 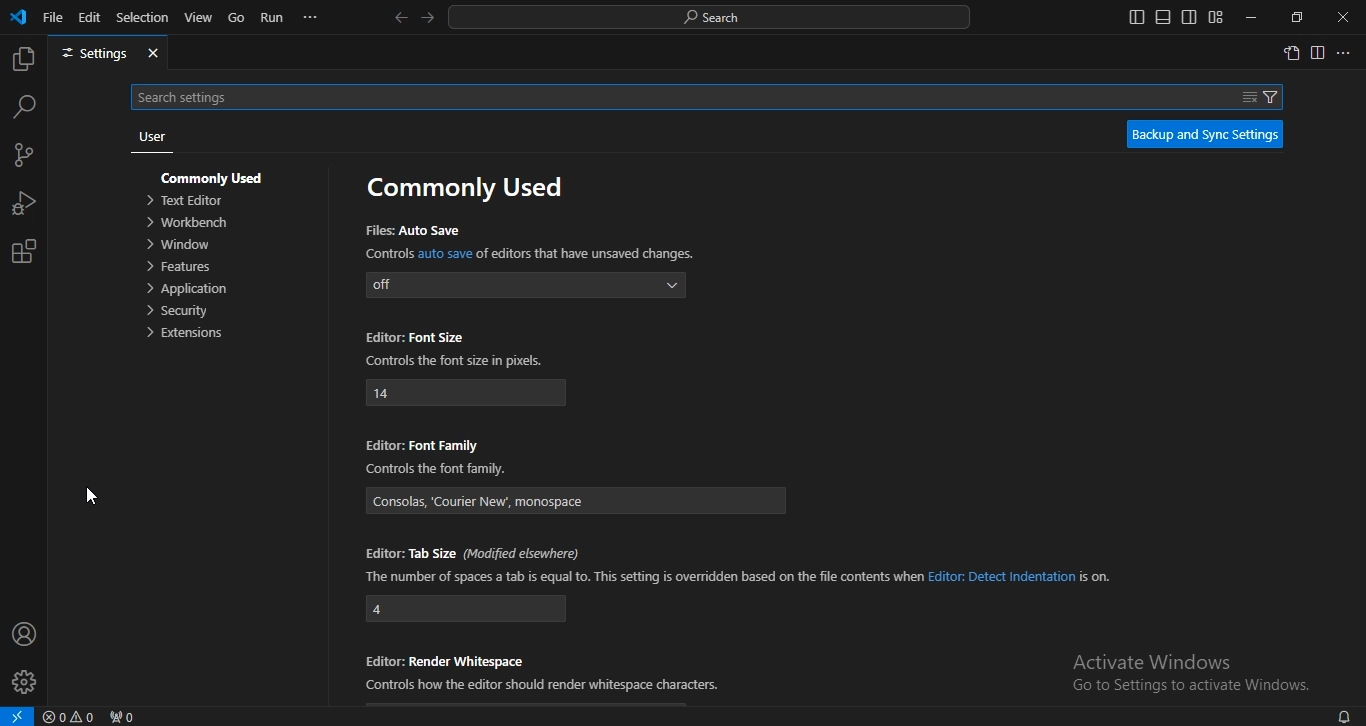 I want to click on application, so click(x=190, y=290).